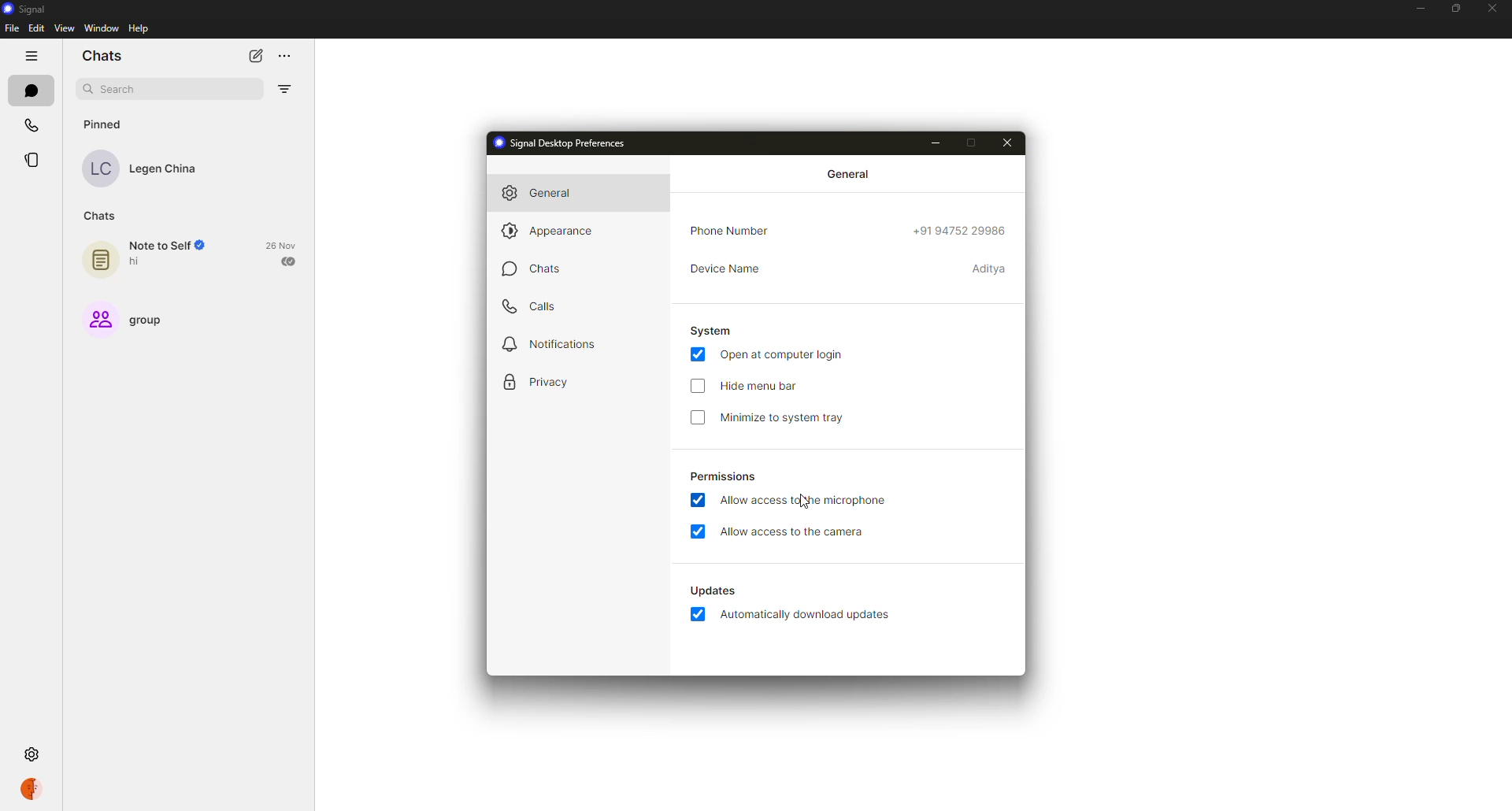 The width and height of the screenshot is (1512, 811). What do you see at coordinates (150, 169) in the screenshot?
I see `contact` at bounding box center [150, 169].